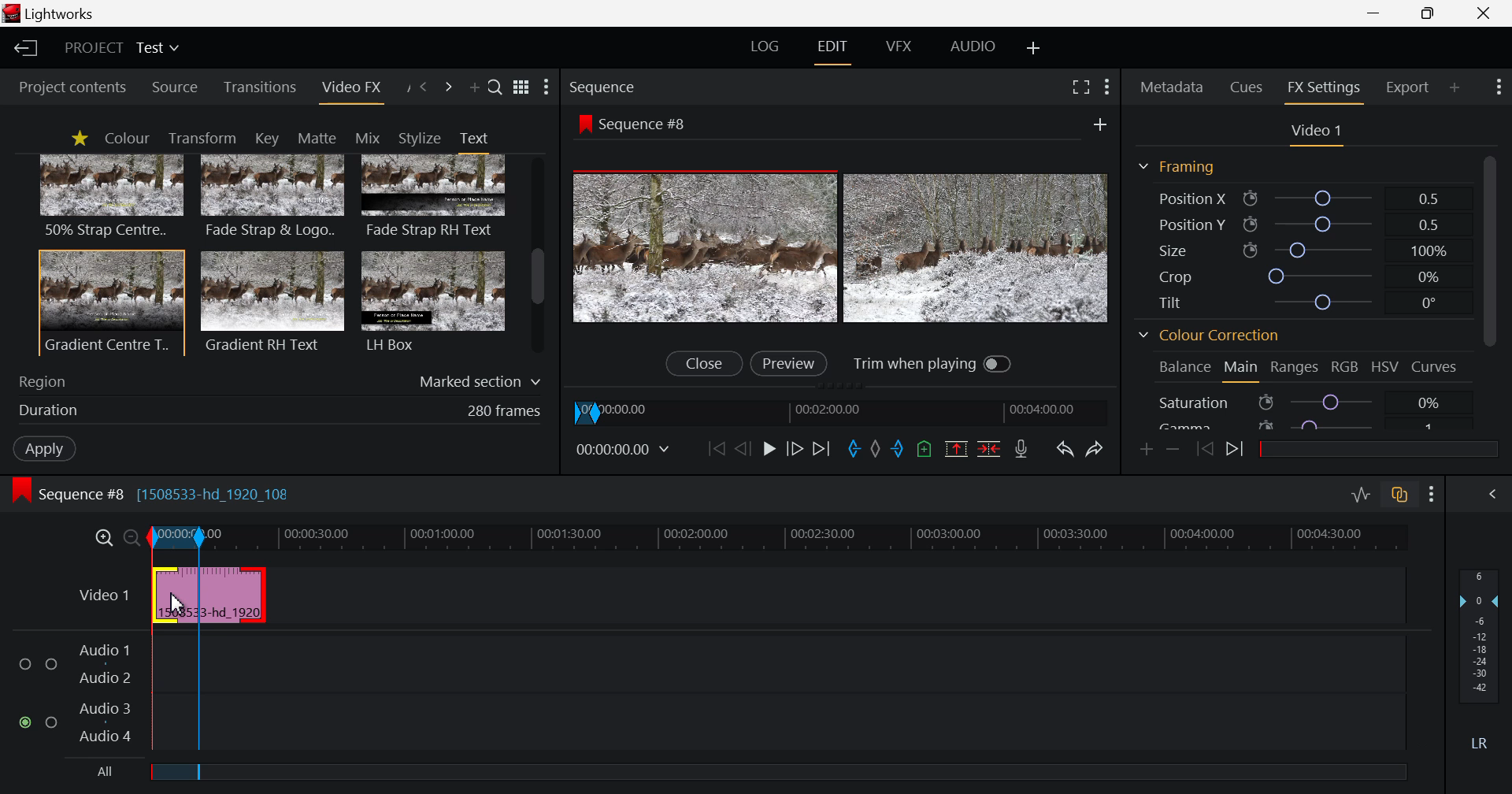 The width and height of the screenshot is (1512, 794). What do you see at coordinates (1298, 423) in the screenshot?
I see `Gamma` at bounding box center [1298, 423].